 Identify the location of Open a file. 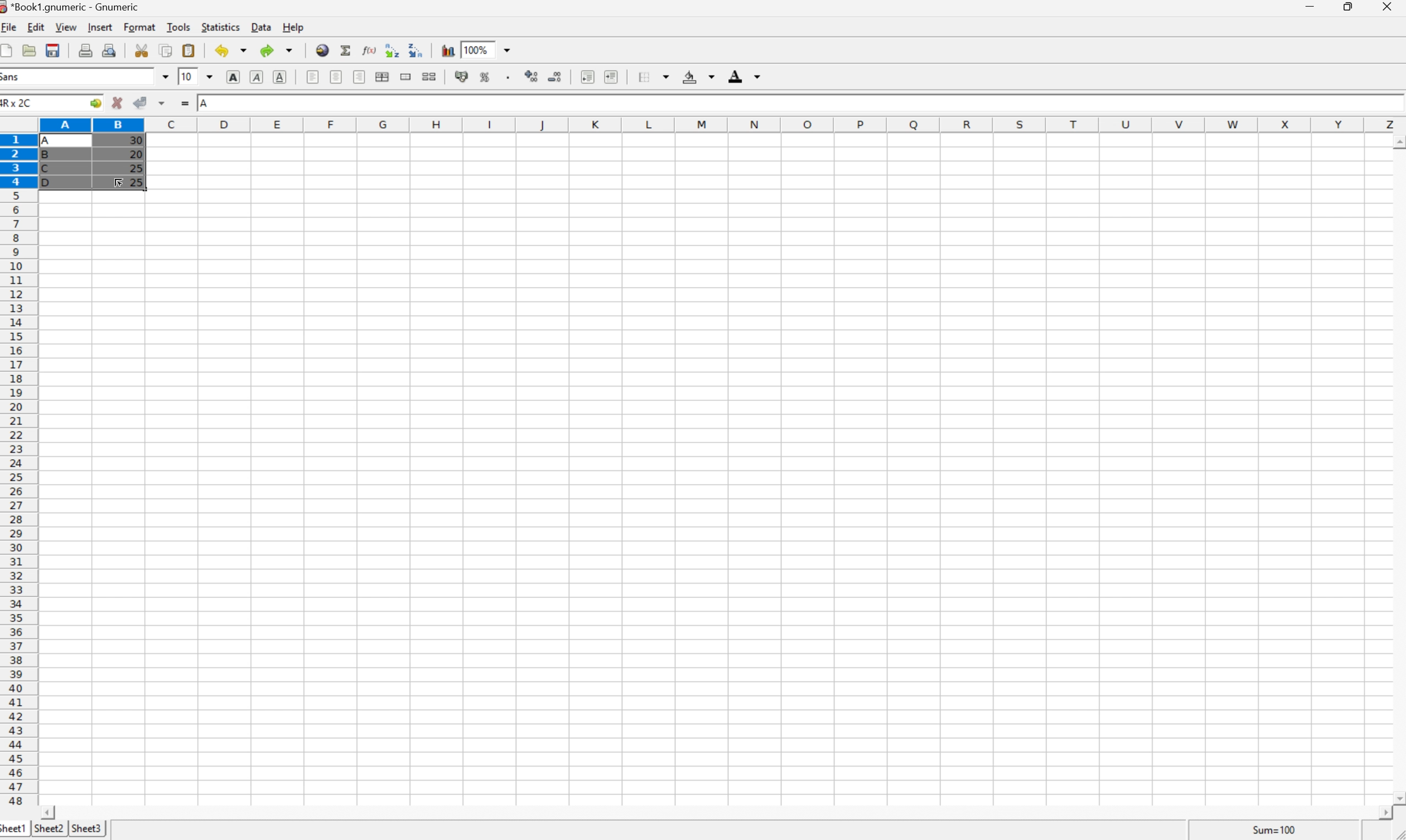
(29, 50).